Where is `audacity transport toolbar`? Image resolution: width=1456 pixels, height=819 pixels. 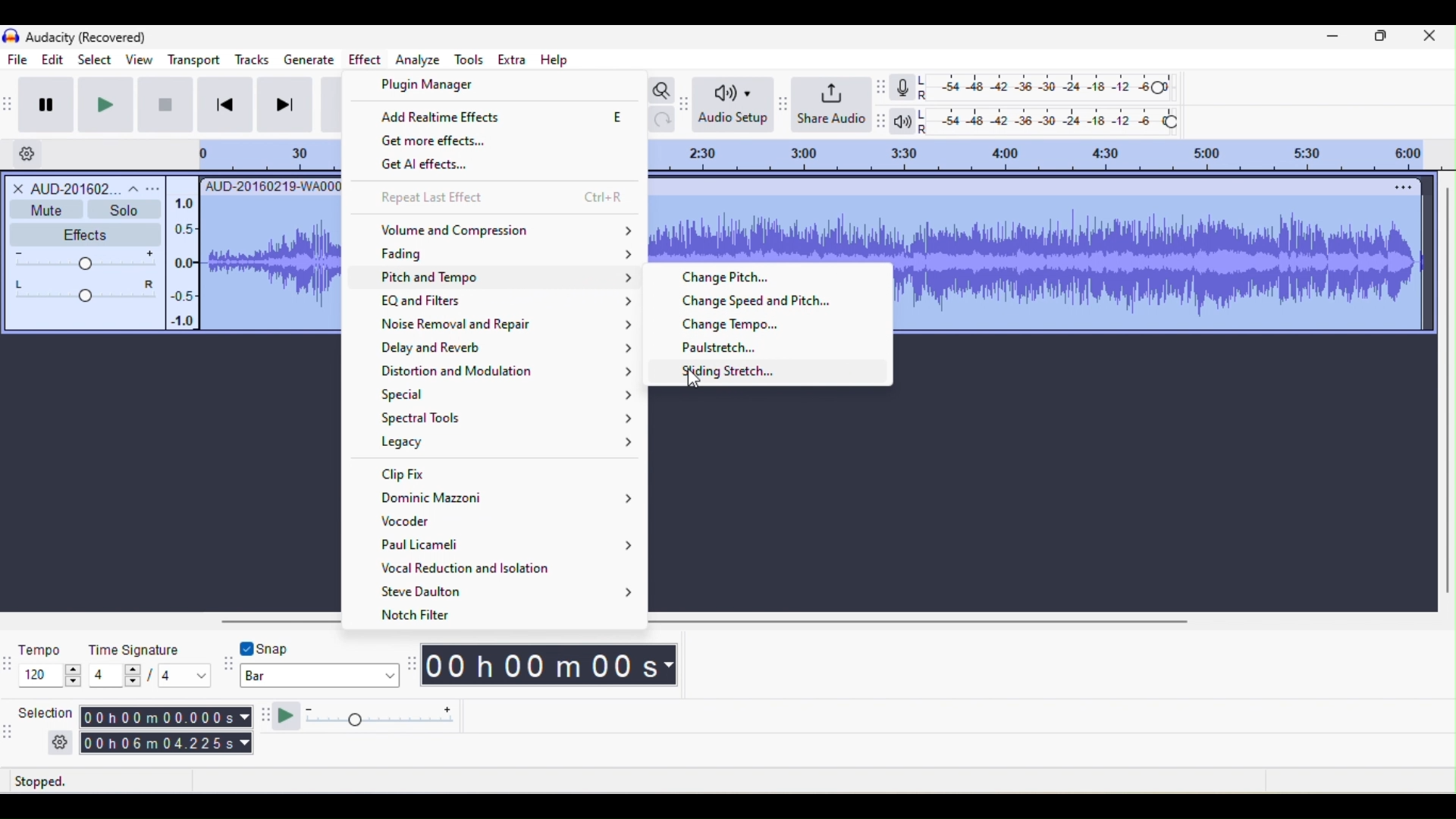 audacity transport toolbar is located at coordinates (9, 103).